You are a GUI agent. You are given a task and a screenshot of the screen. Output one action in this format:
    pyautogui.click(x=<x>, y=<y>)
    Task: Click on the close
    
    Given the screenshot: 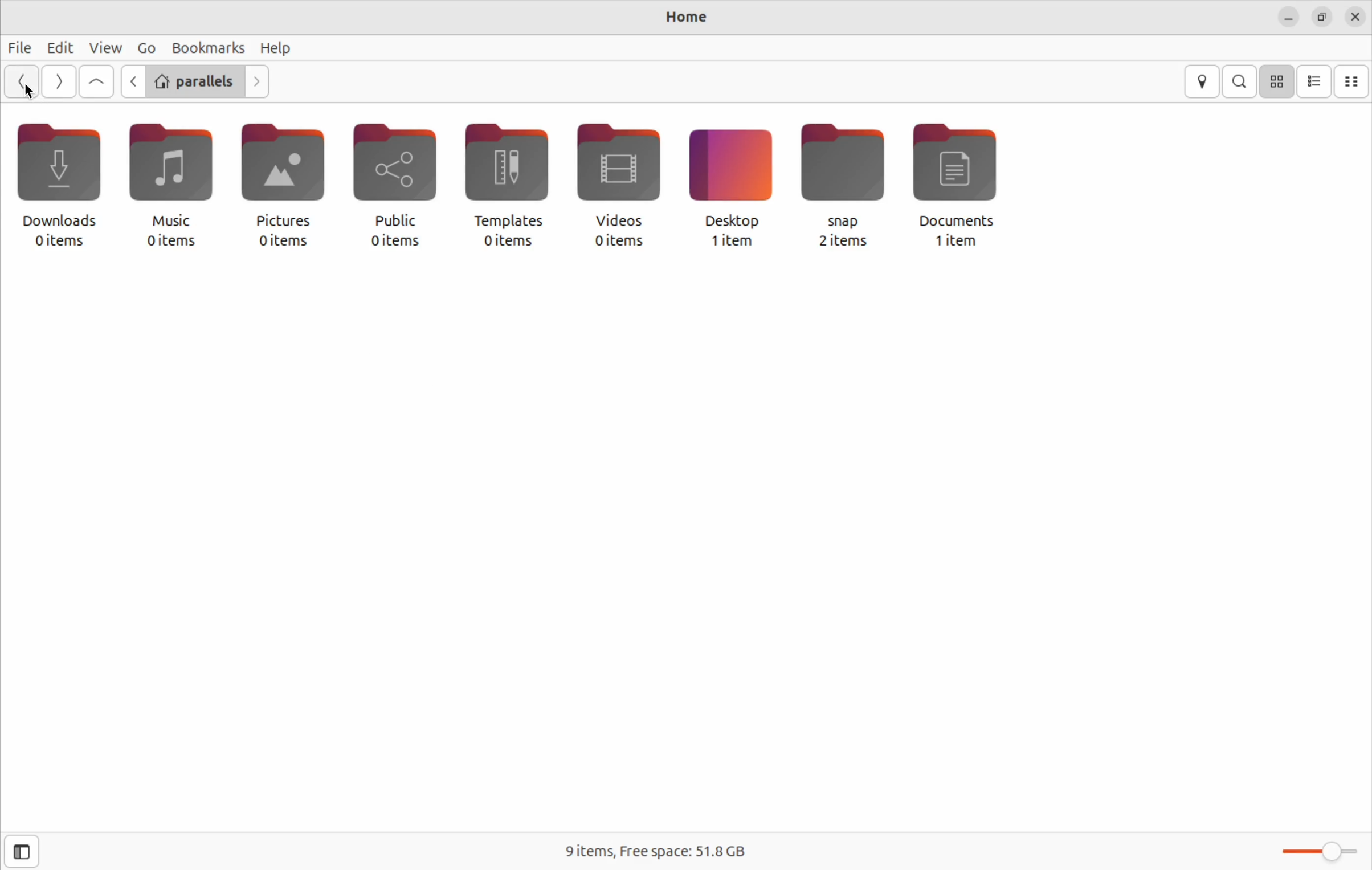 What is the action you would take?
    pyautogui.click(x=1357, y=17)
    